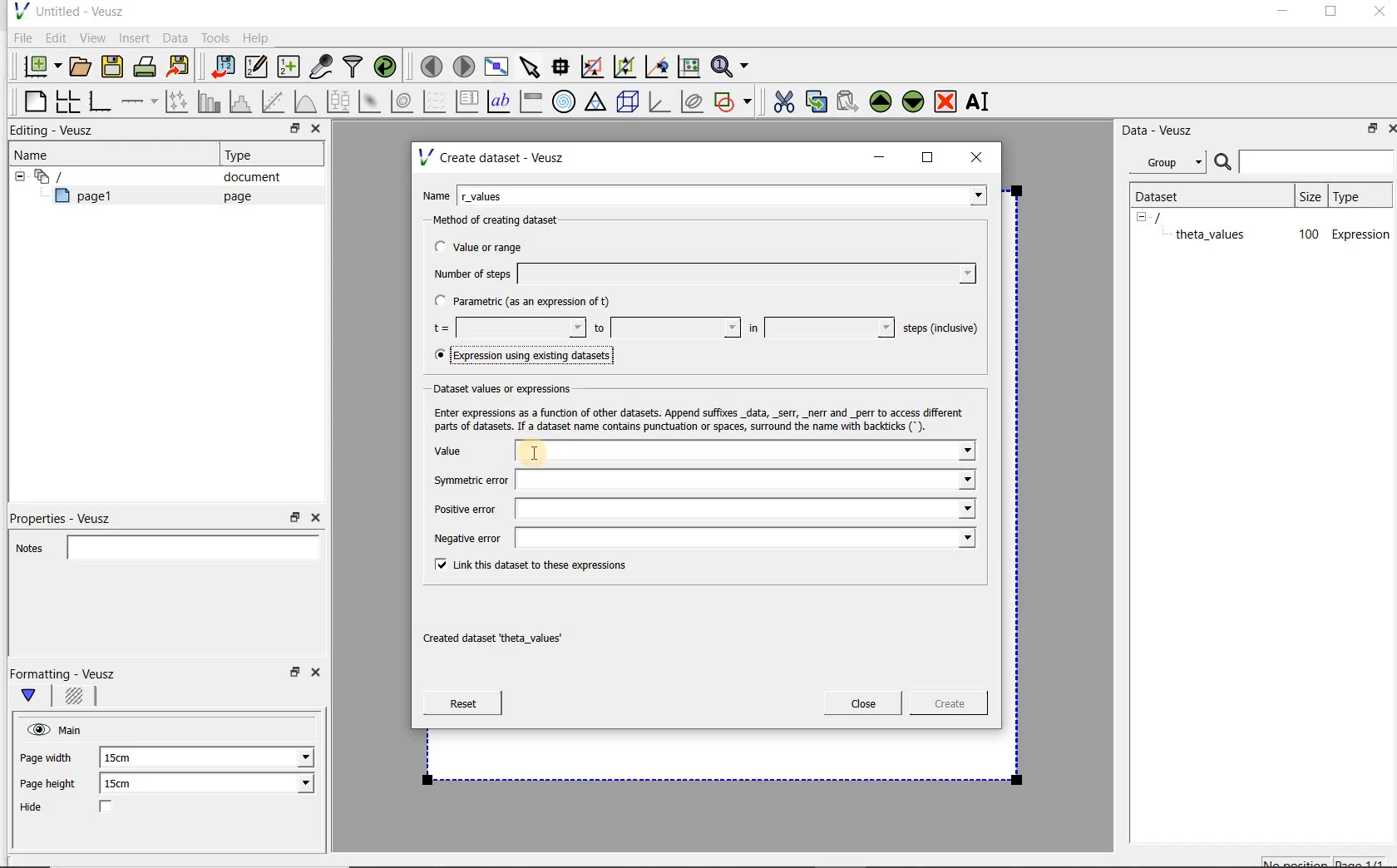 The width and height of the screenshot is (1397, 868). Describe the element at coordinates (731, 62) in the screenshot. I see `Zoom functions menu` at that location.